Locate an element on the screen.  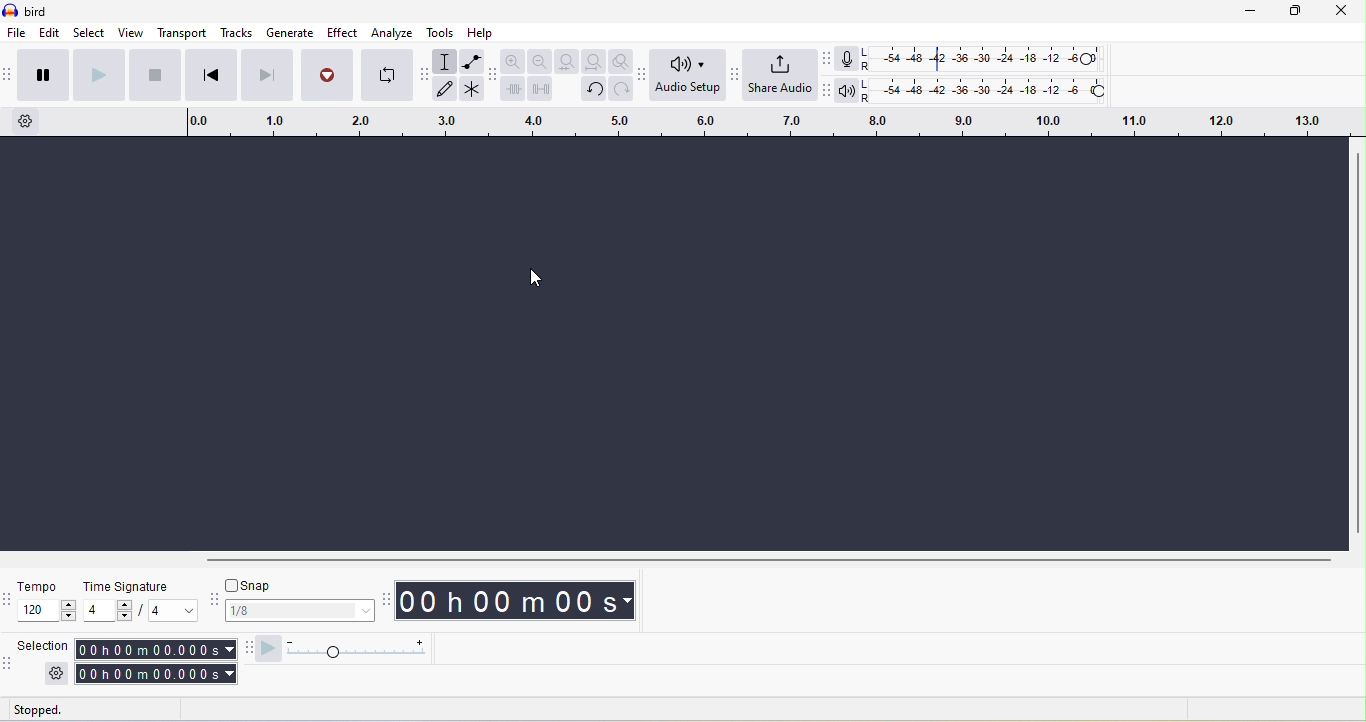
transport is located at coordinates (185, 35).